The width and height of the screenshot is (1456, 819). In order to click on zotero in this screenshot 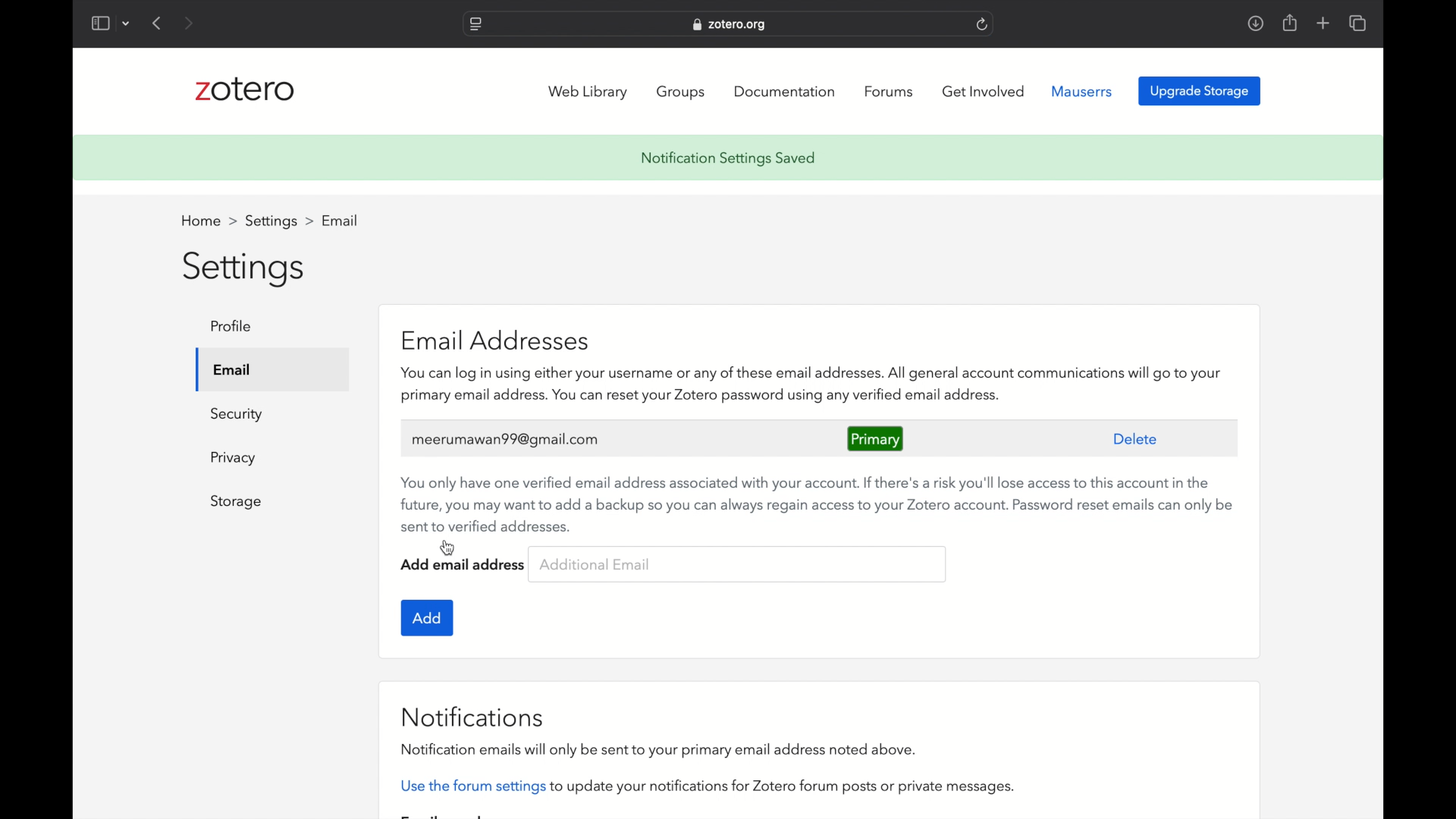, I will do `click(245, 92)`.